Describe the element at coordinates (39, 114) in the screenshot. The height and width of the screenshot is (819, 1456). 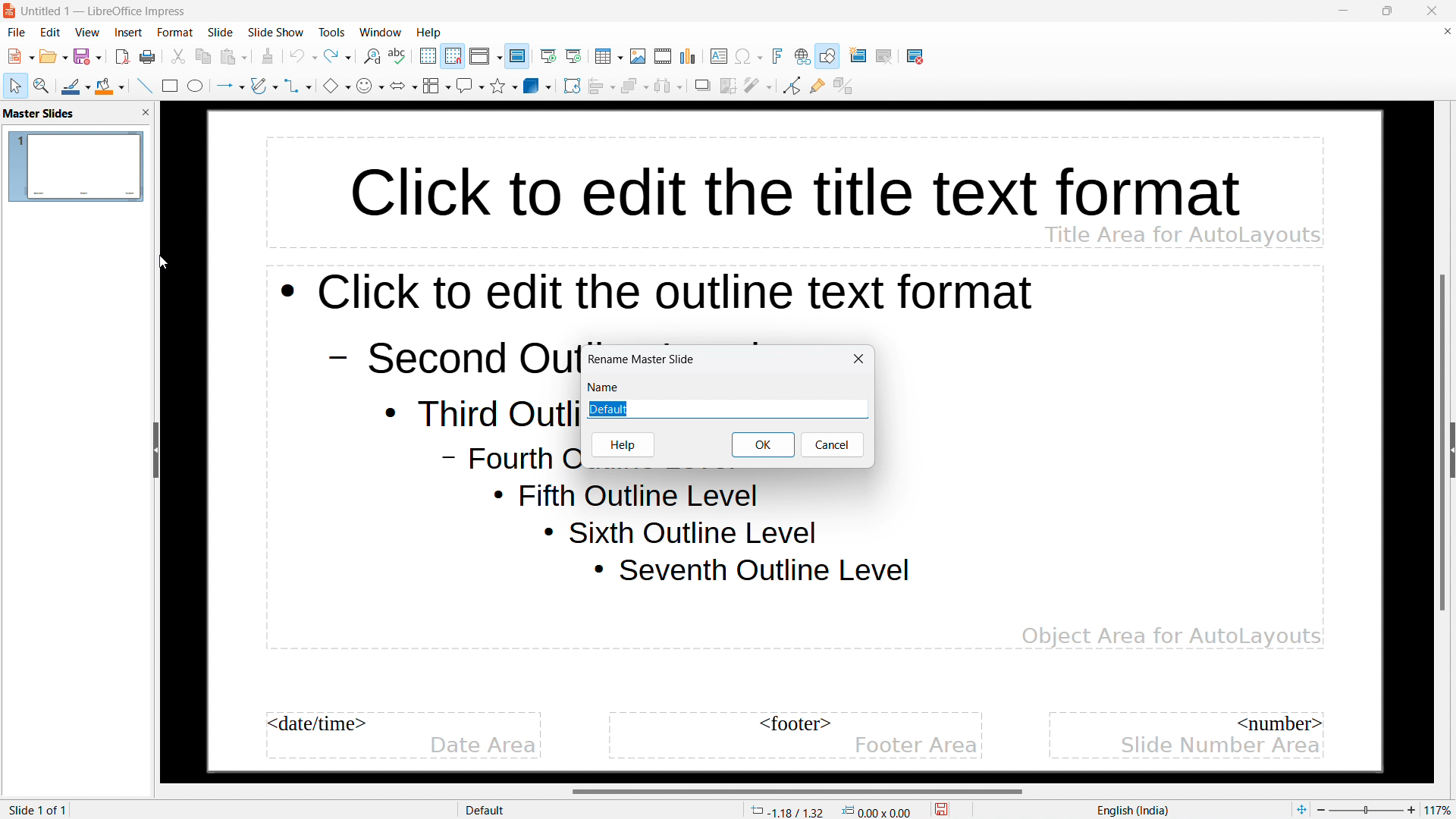
I see `master slides` at that location.